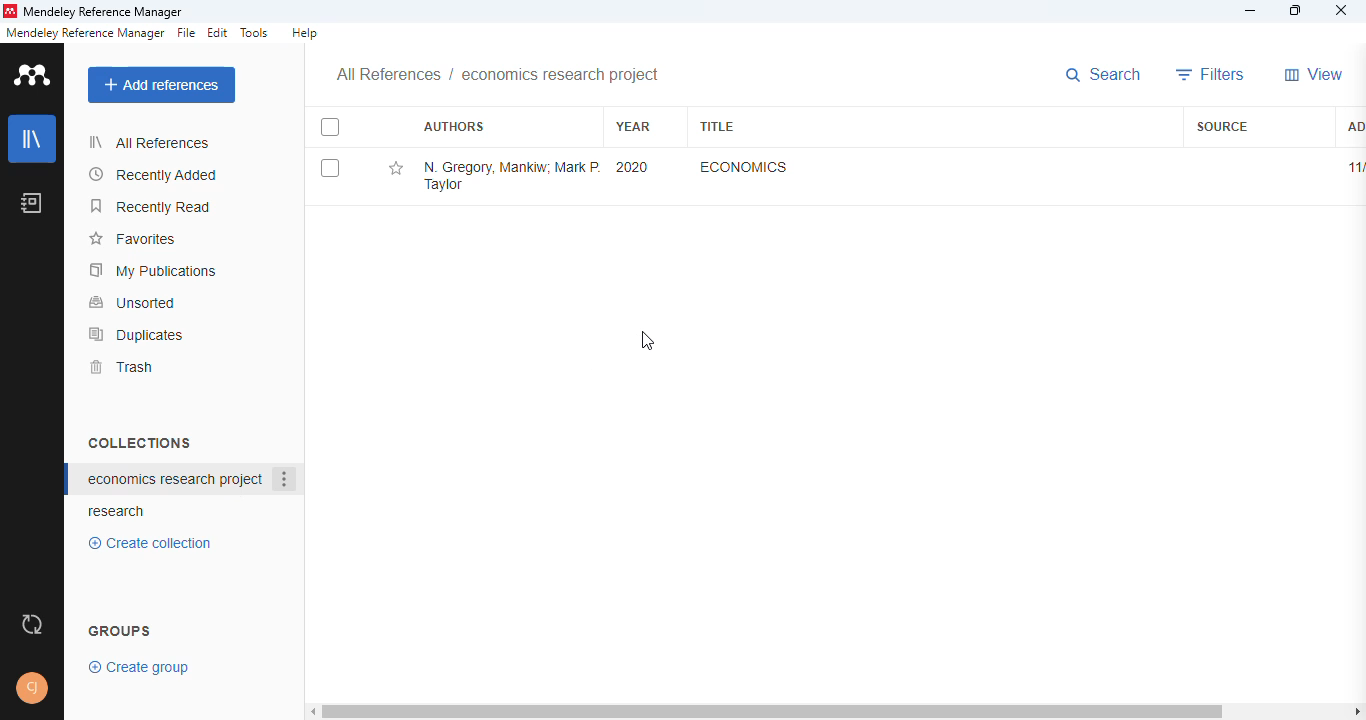 The image size is (1366, 720). Describe the element at coordinates (33, 139) in the screenshot. I see `library` at that location.